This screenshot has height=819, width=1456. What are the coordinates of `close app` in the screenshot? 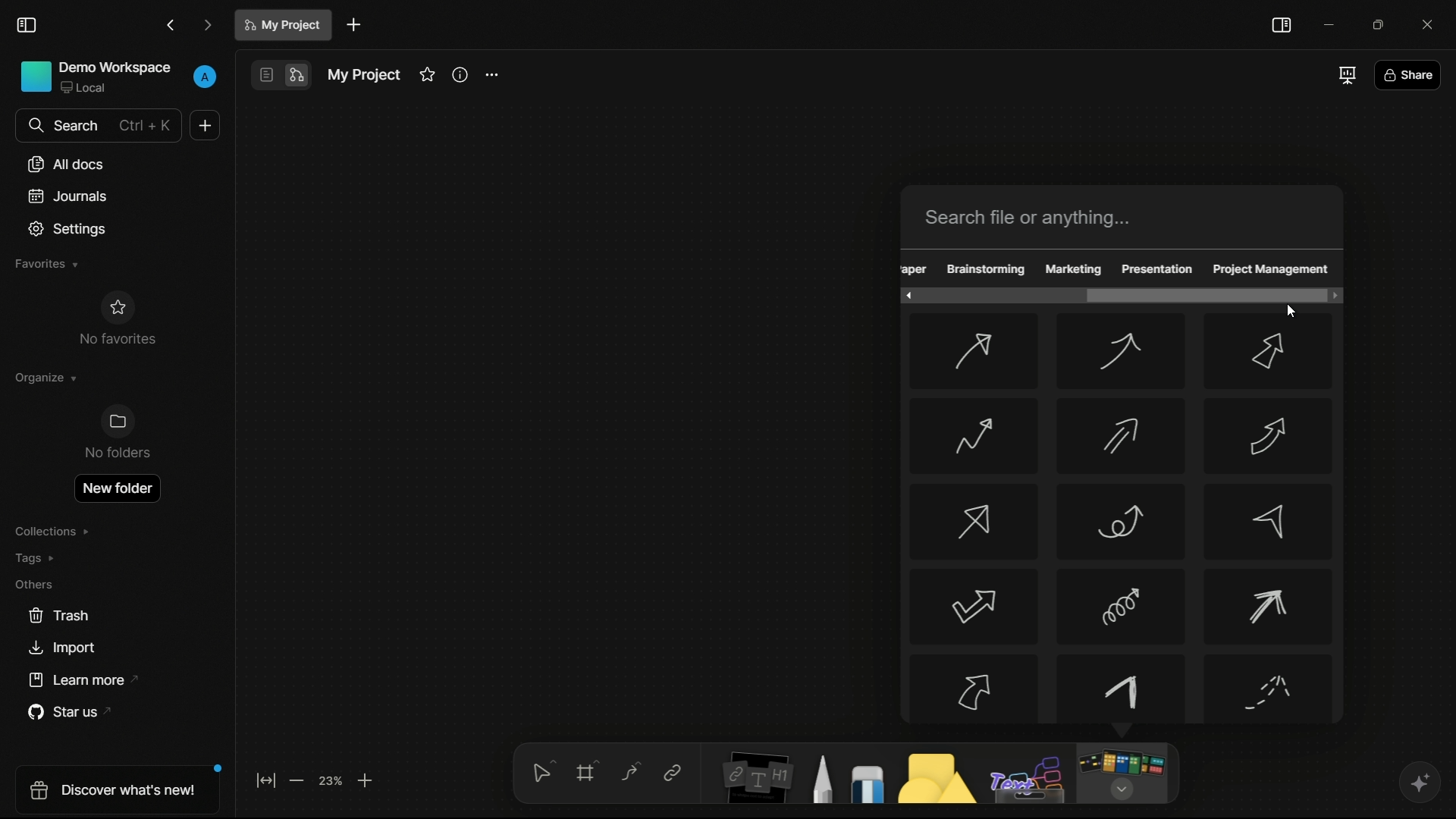 It's located at (1432, 24).